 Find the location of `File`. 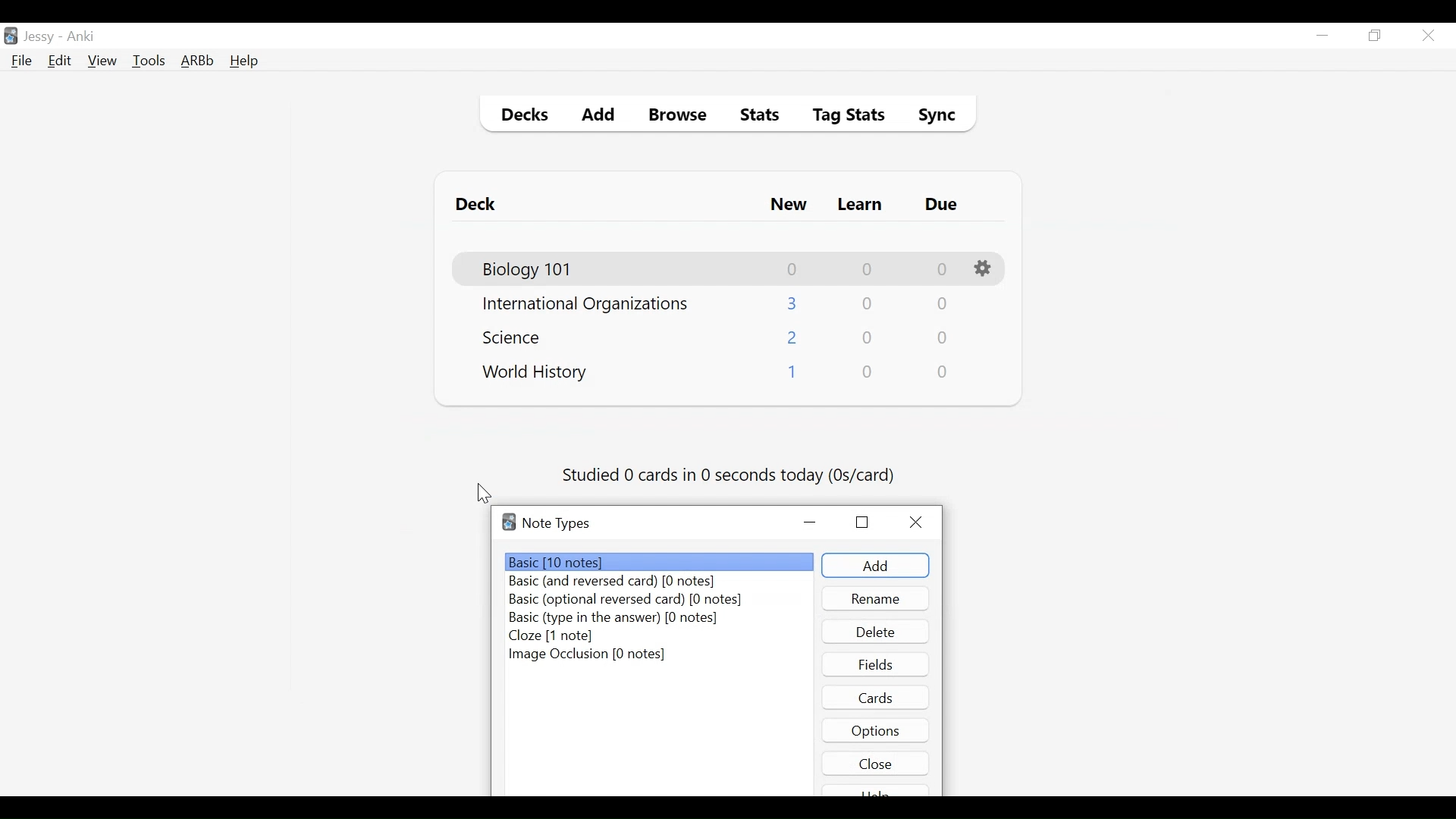

File is located at coordinates (22, 62).